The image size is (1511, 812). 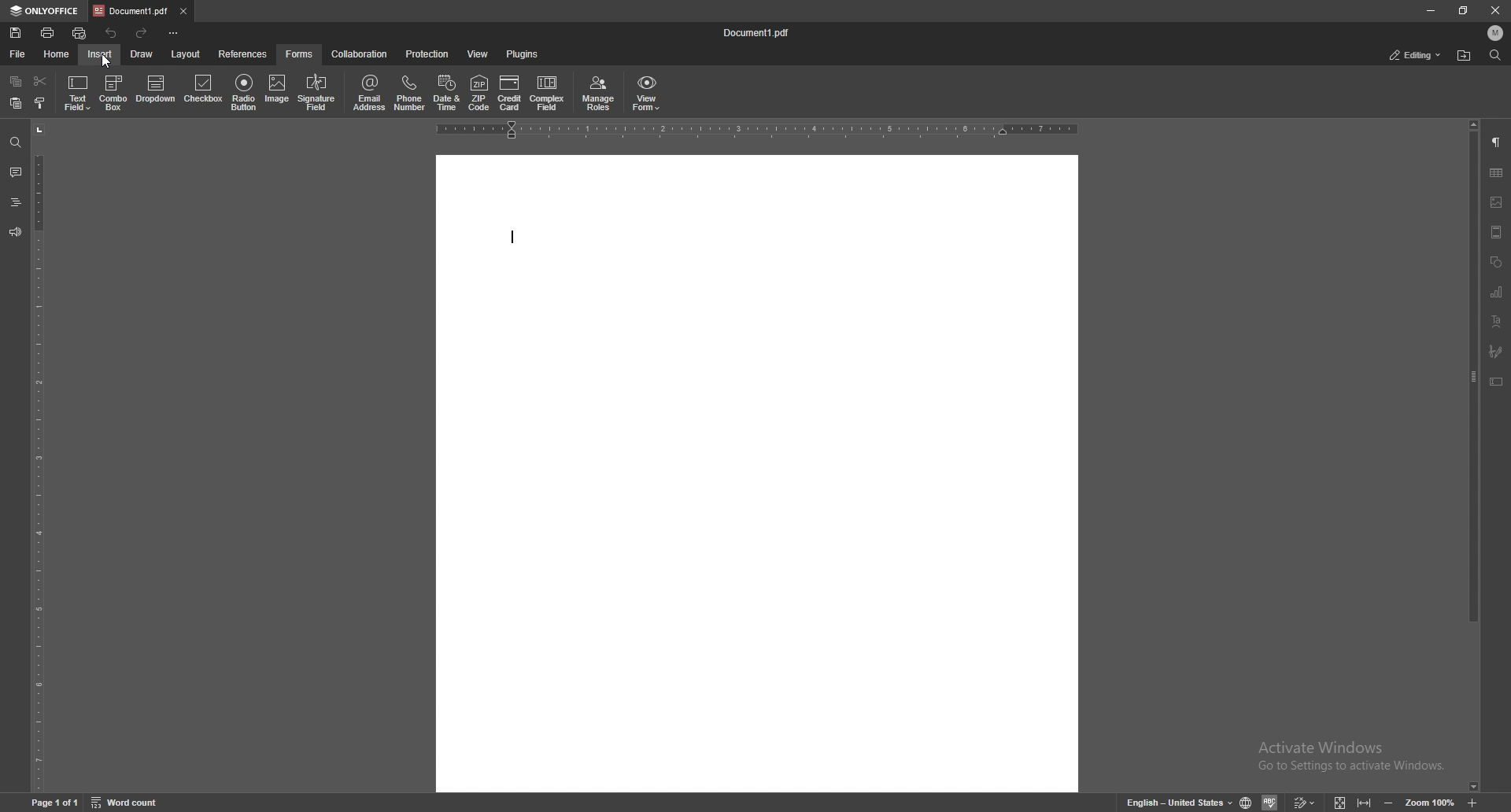 I want to click on checkbox, so click(x=202, y=91).